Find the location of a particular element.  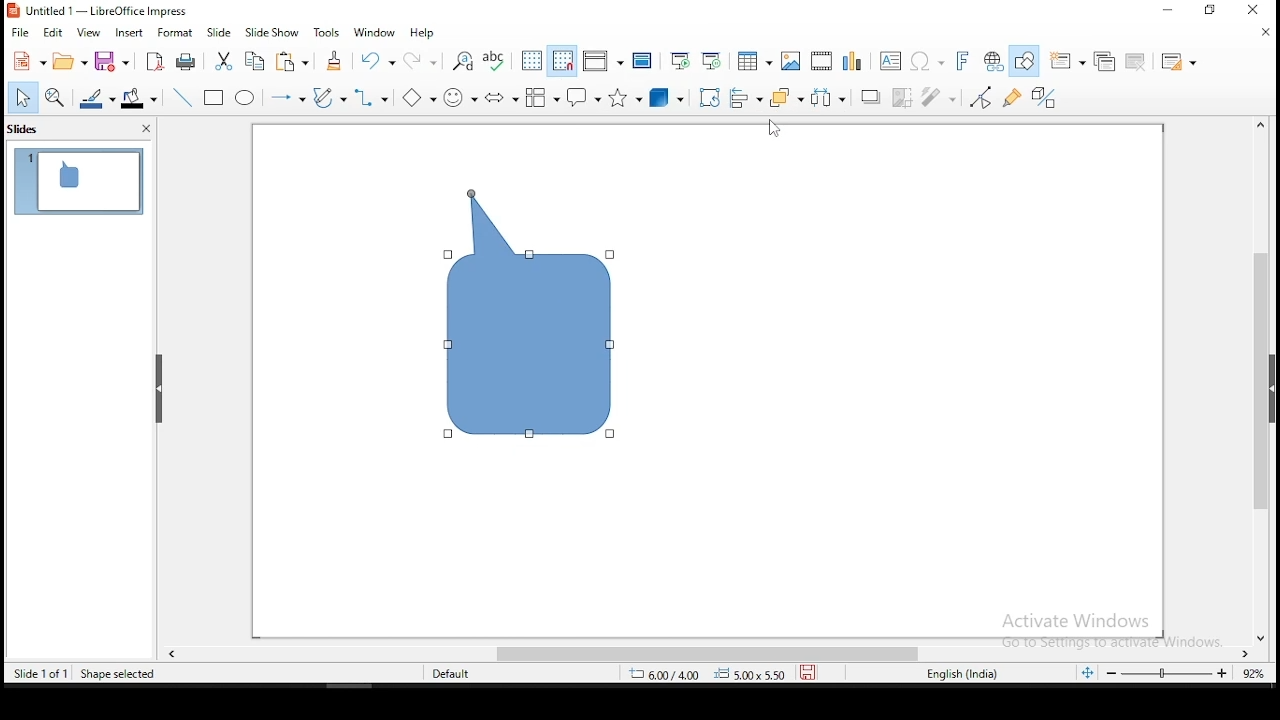

icon and file name is located at coordinates (102, 10).